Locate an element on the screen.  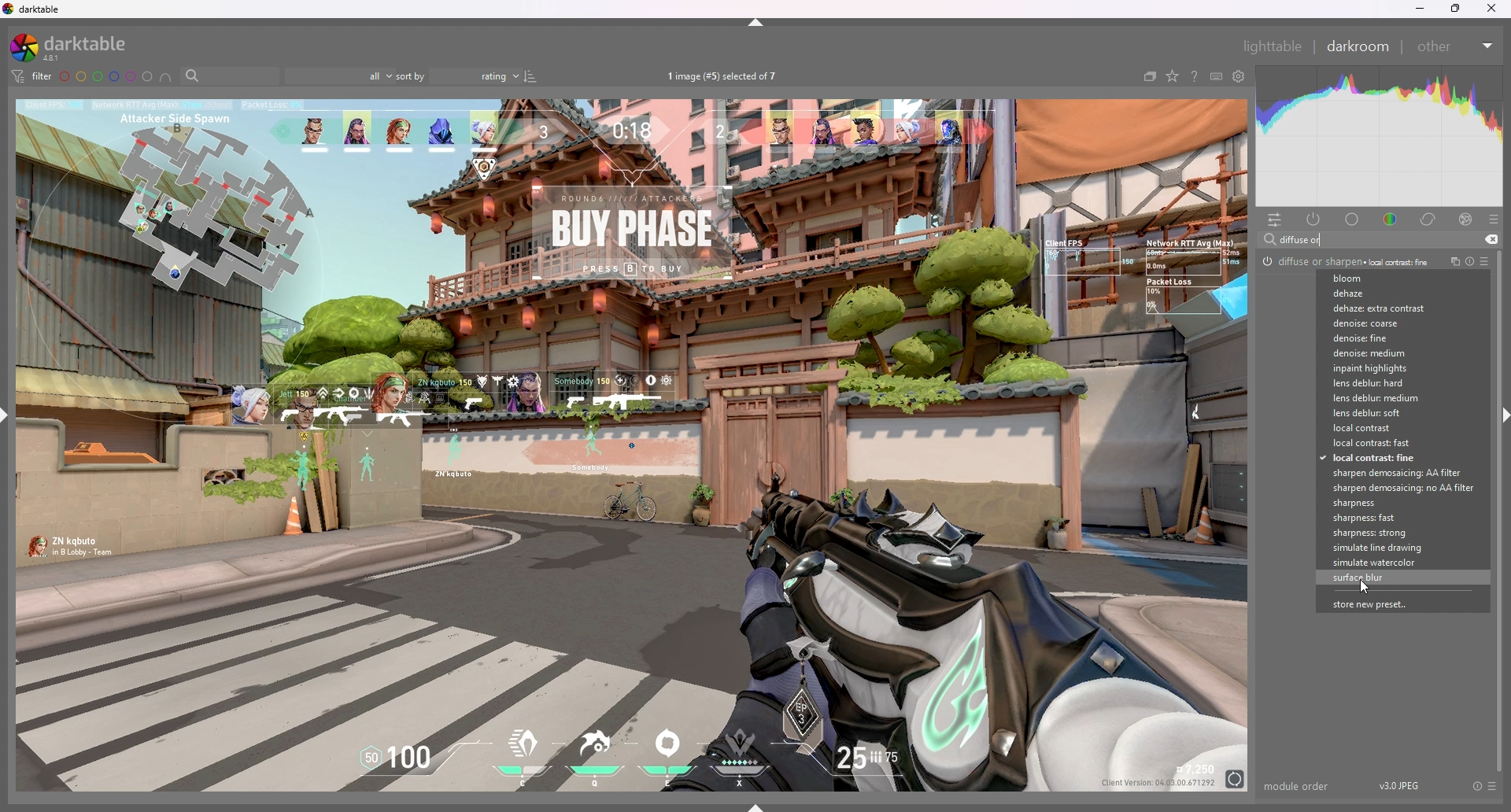
resize is located at coordinates (1456, 8).